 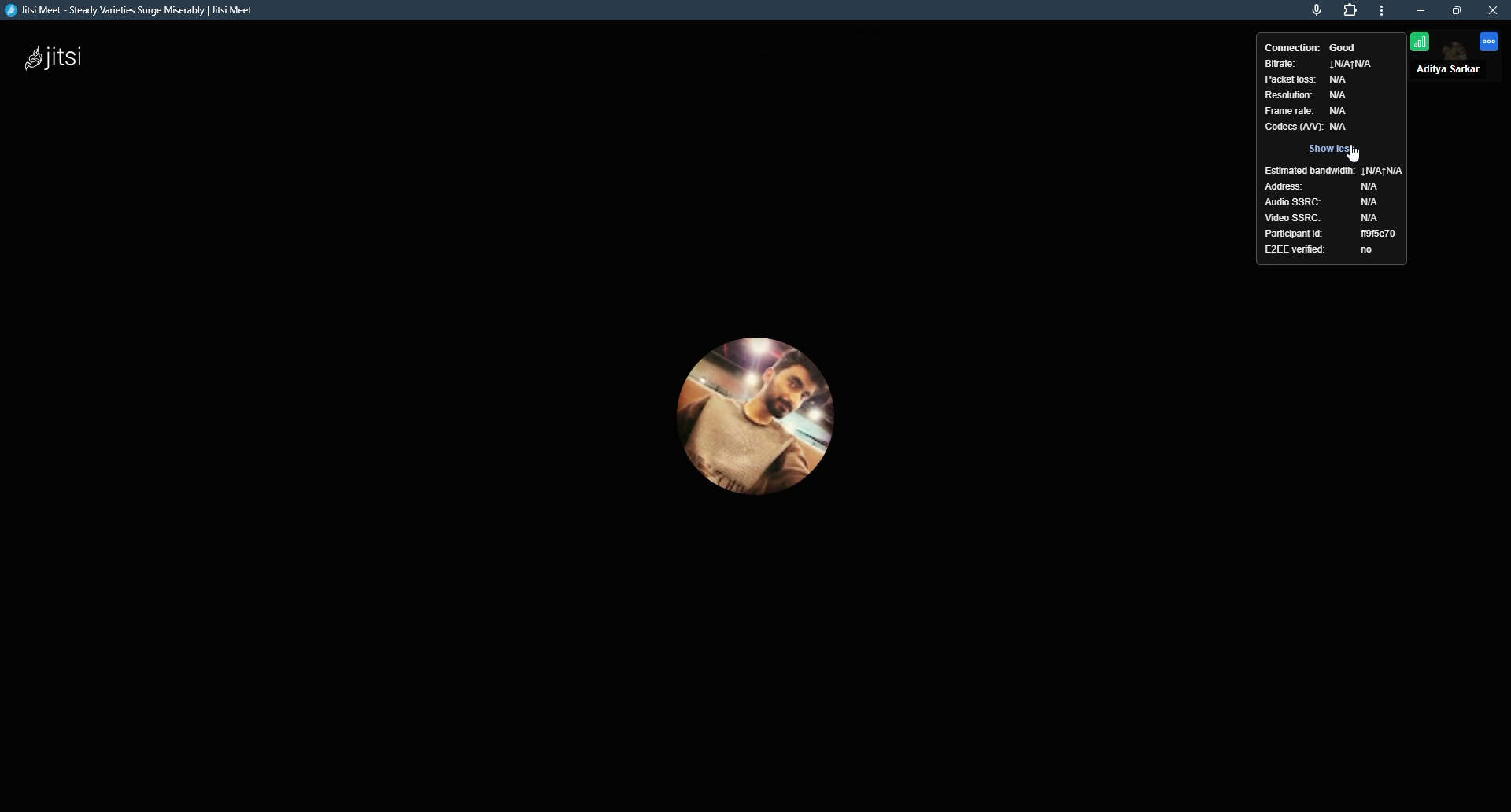 I want to click on na, so click(x=1351, y=65).